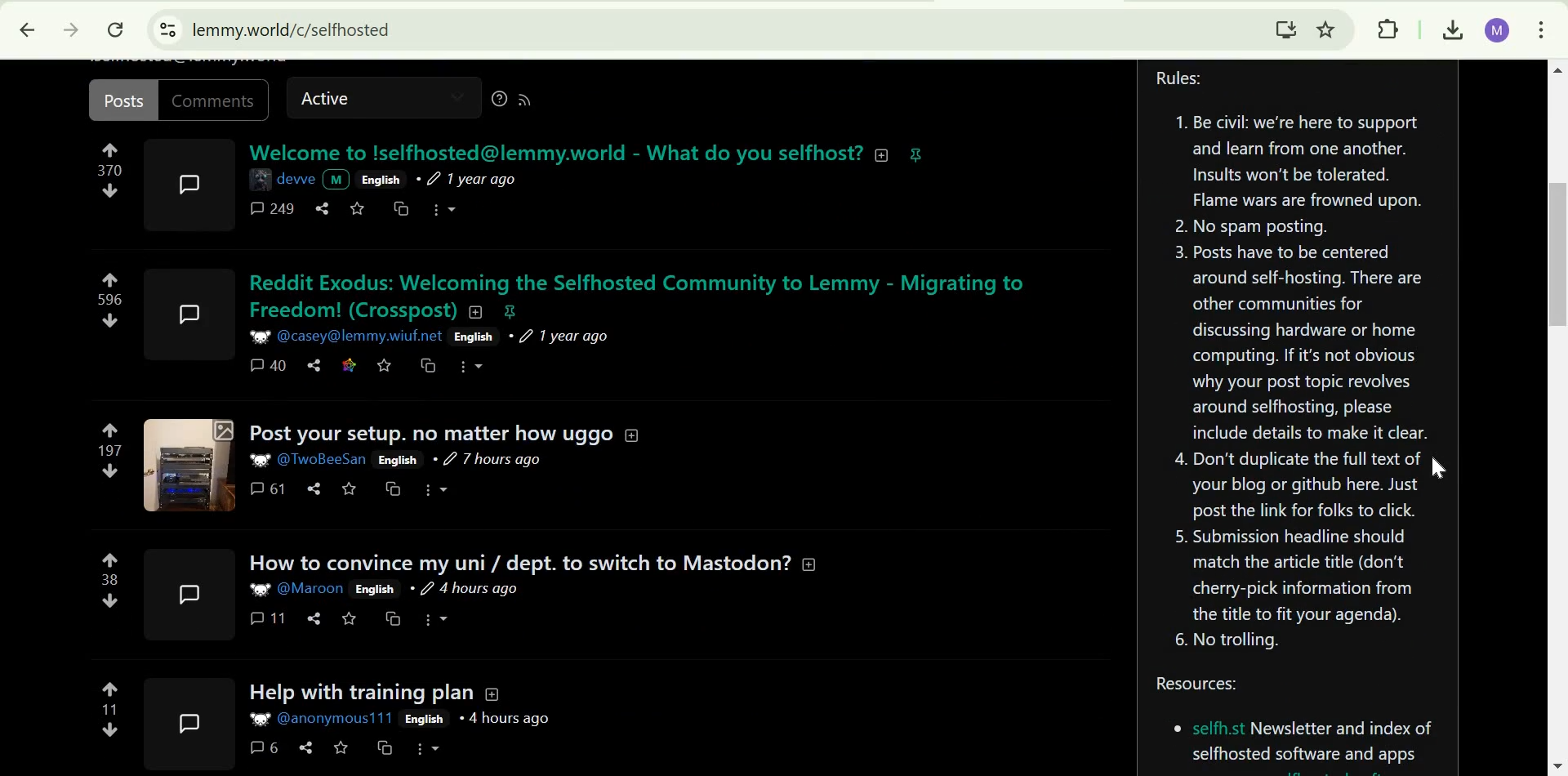 The width and height of the screenshot is (1568, 776). Describe the element at coordinates (397, 489) in the screenshot. I see `cross-post` at that location.